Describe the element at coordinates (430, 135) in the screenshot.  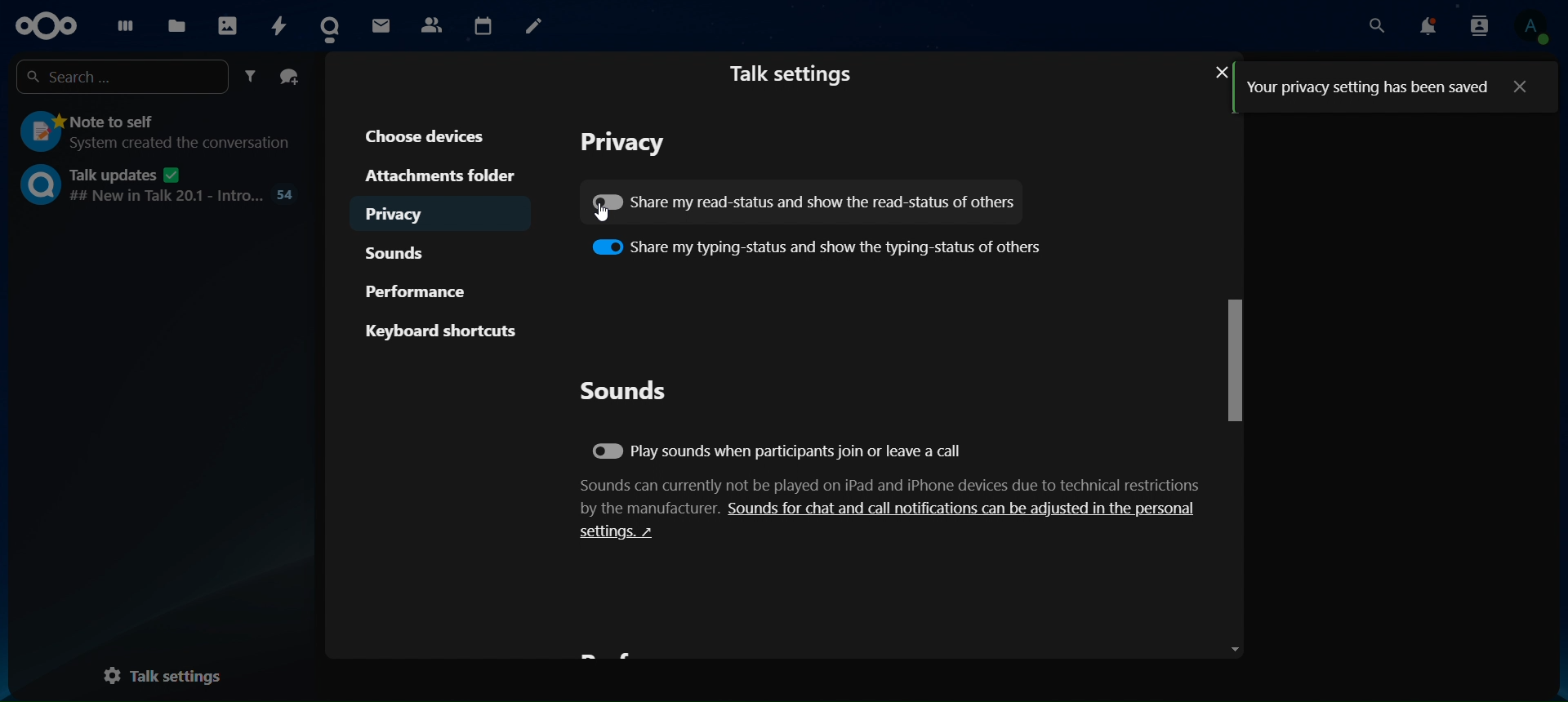
I see `choose devices` at that location.